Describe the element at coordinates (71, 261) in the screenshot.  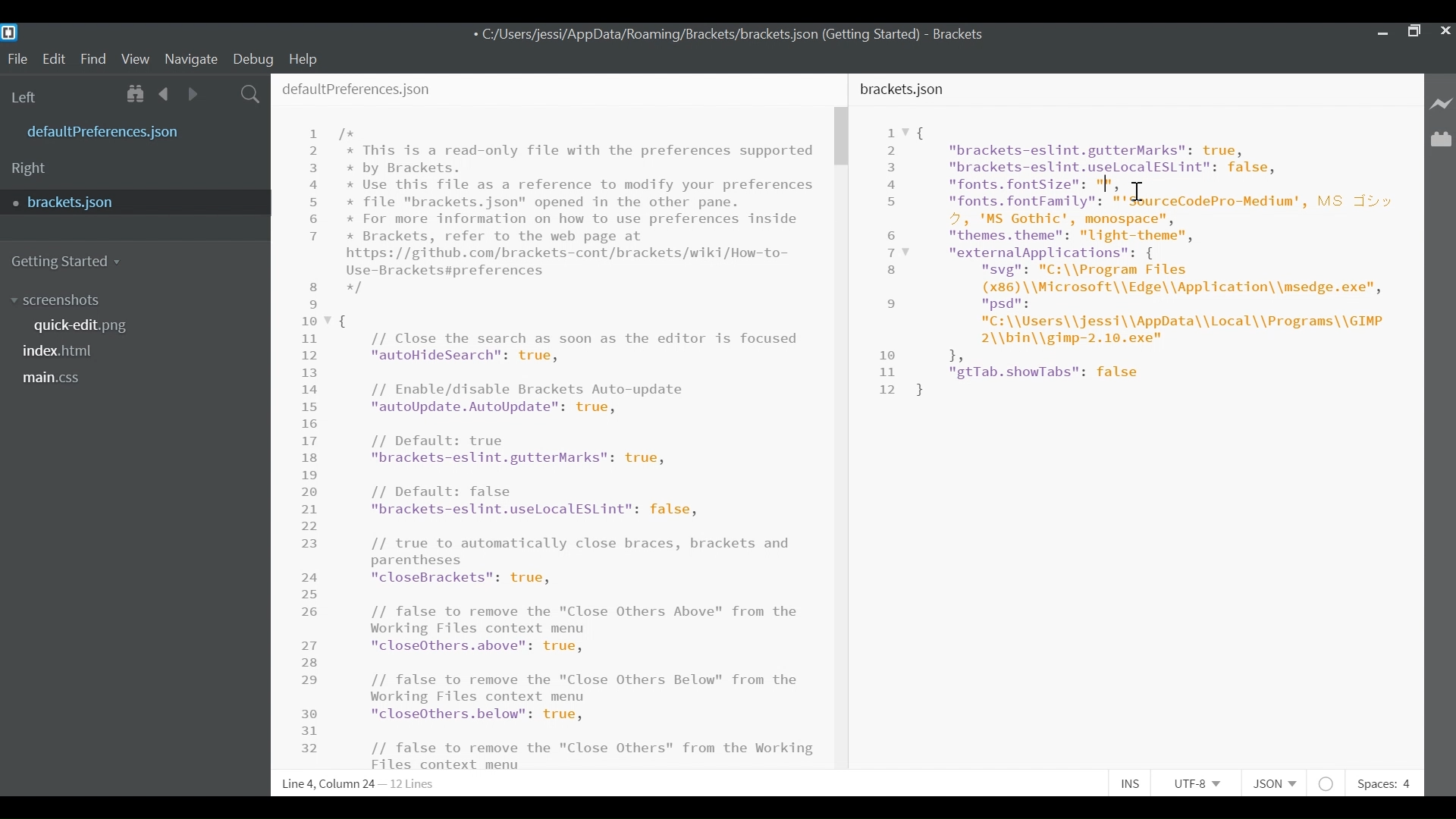
I see `Getting Started` at that location.